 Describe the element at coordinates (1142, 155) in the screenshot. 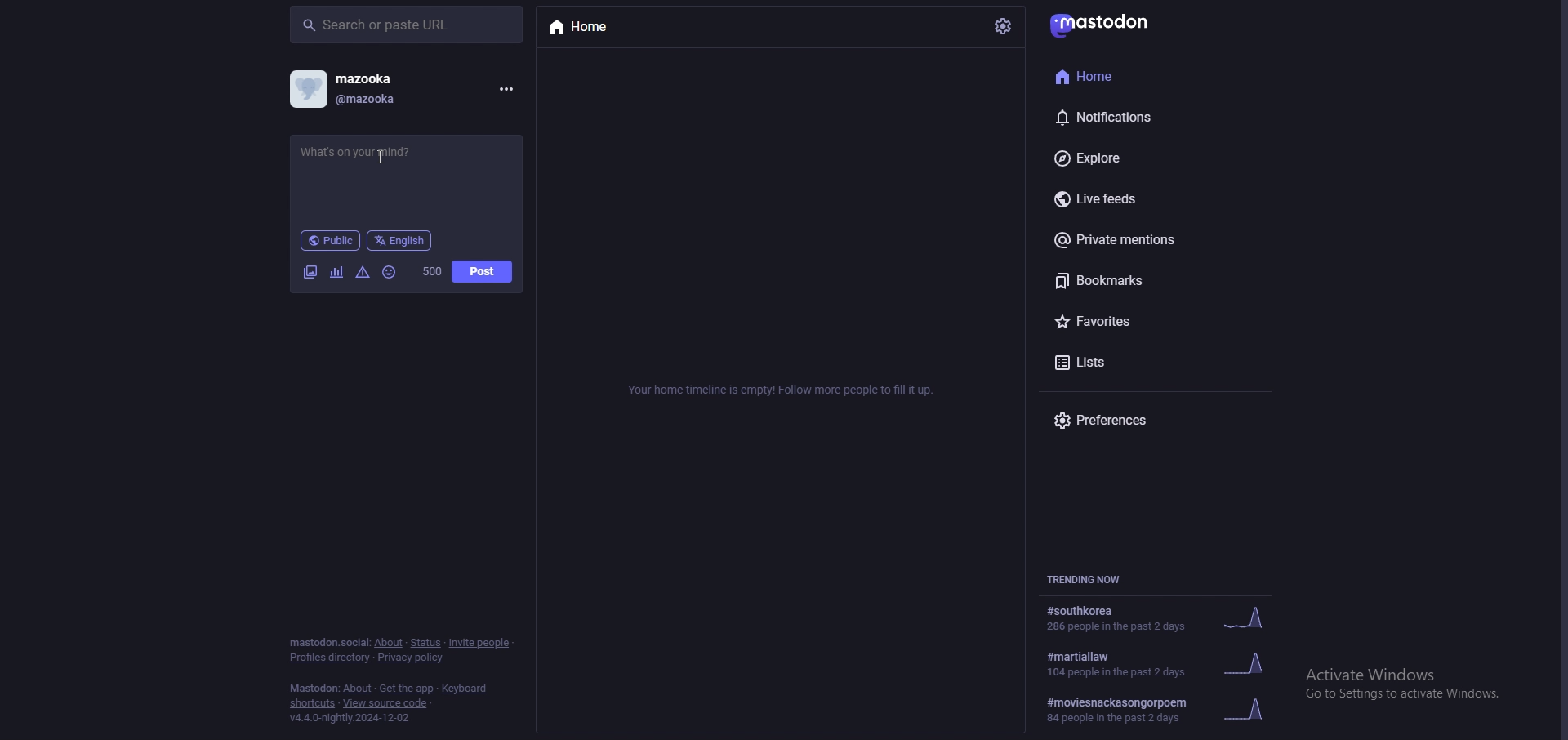

I see `explore` at that location.